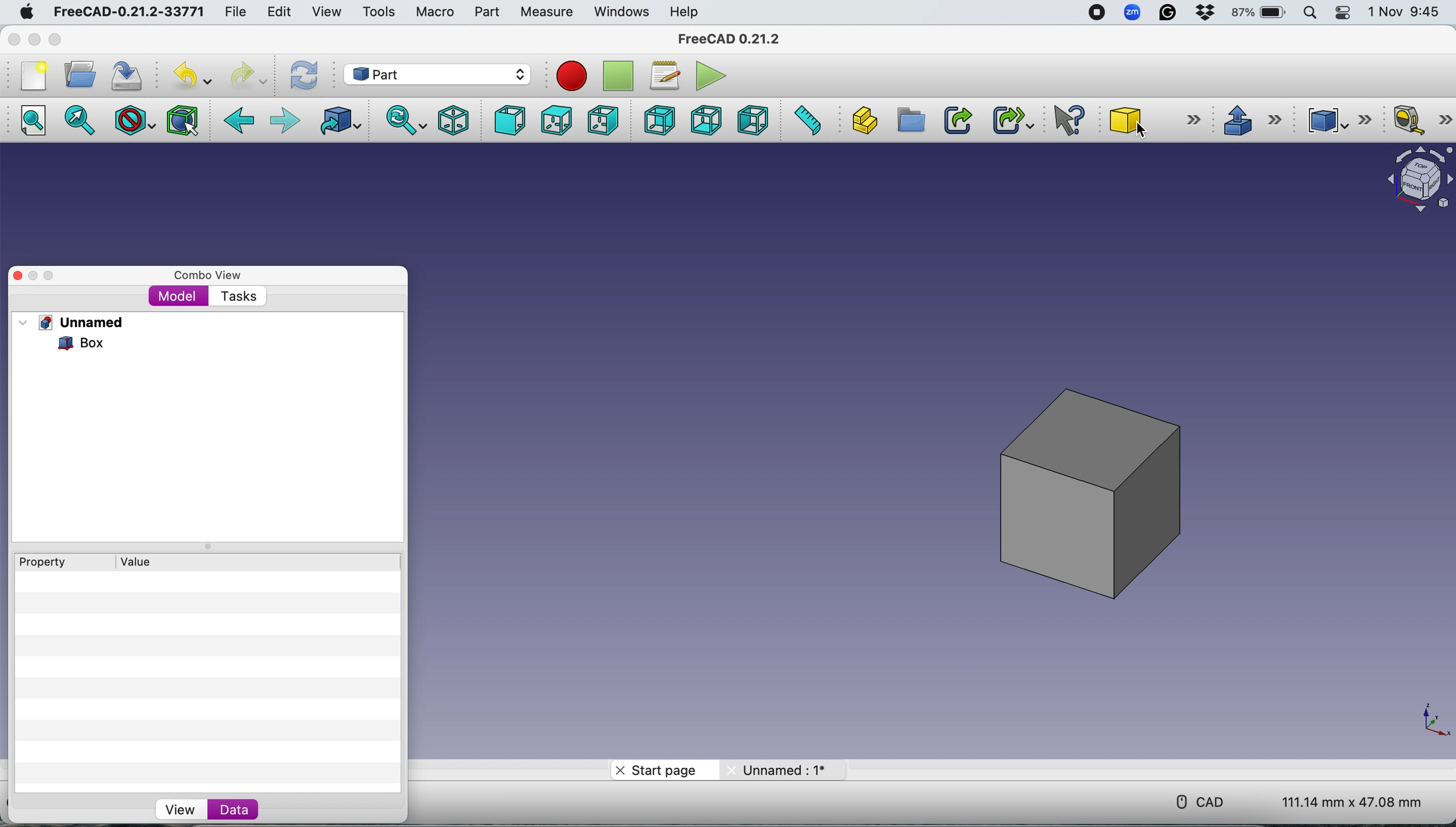 The height and width of the screenshot is (827, 1456). I want to click on What's this?, so click(1071, 120).